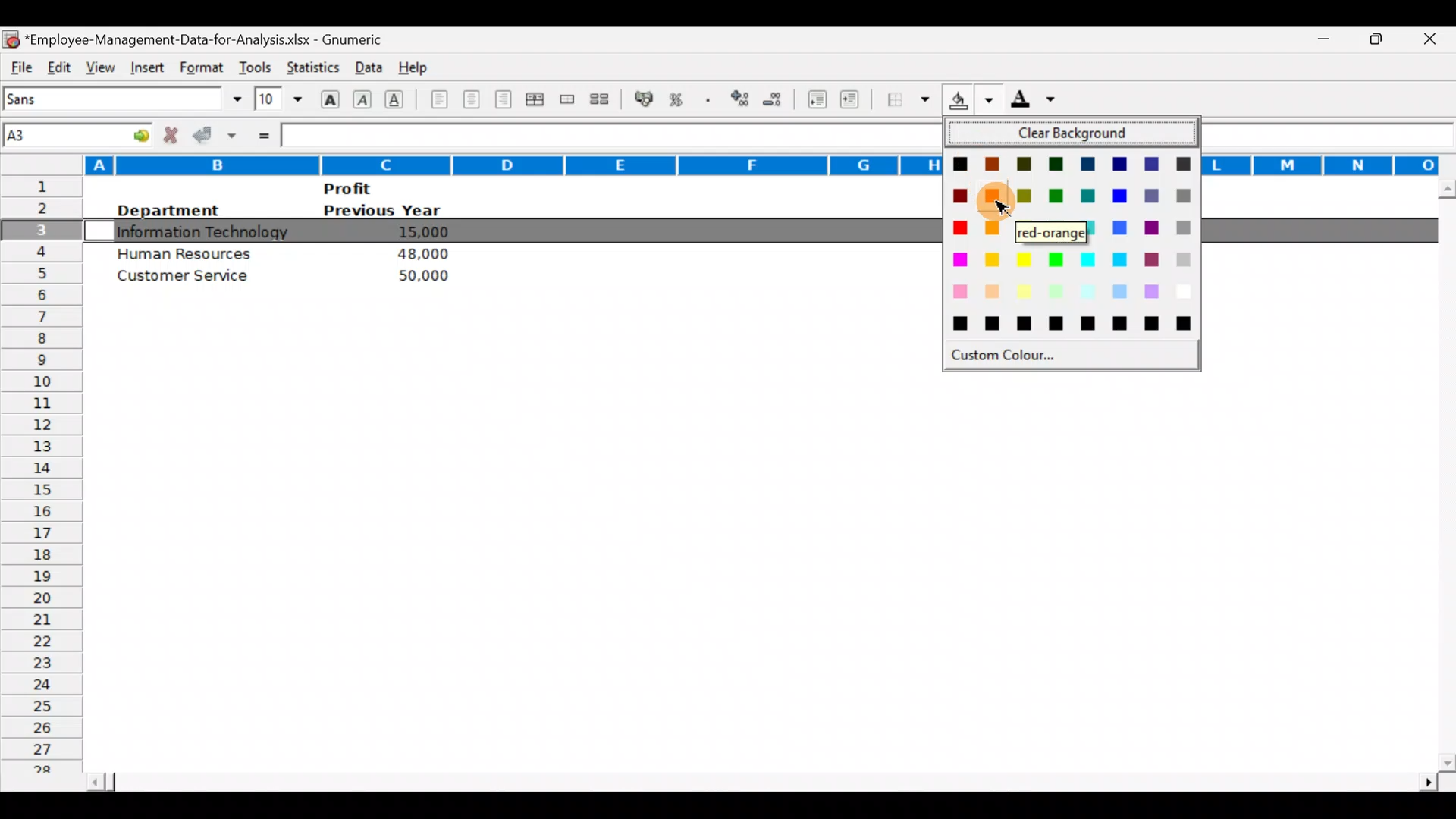  Describe the element at coordinates (1071, 249) in the screenshot. I see `Color palette` at that location.